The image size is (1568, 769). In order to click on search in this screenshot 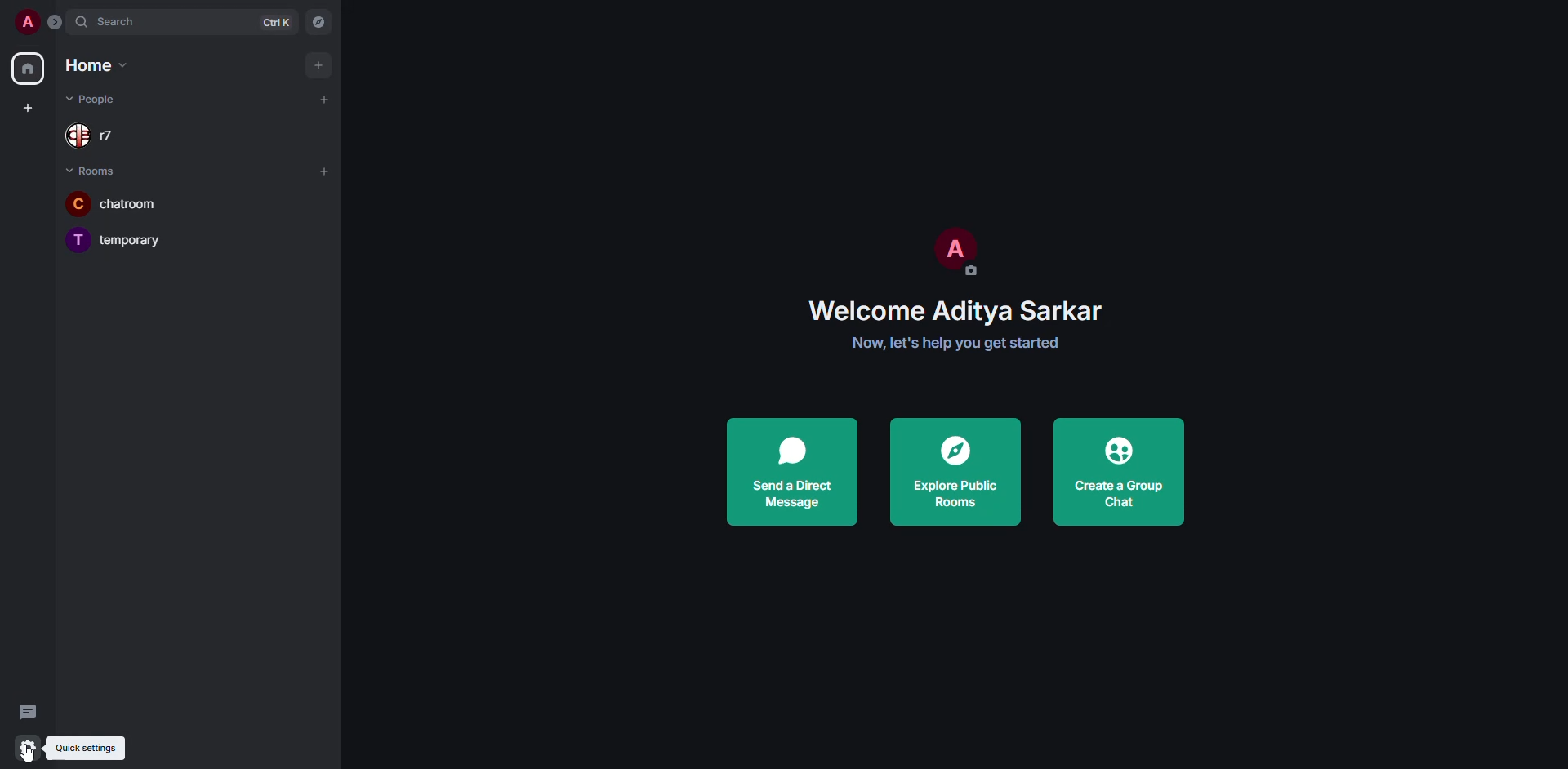, I will do `click(119, 22)`.